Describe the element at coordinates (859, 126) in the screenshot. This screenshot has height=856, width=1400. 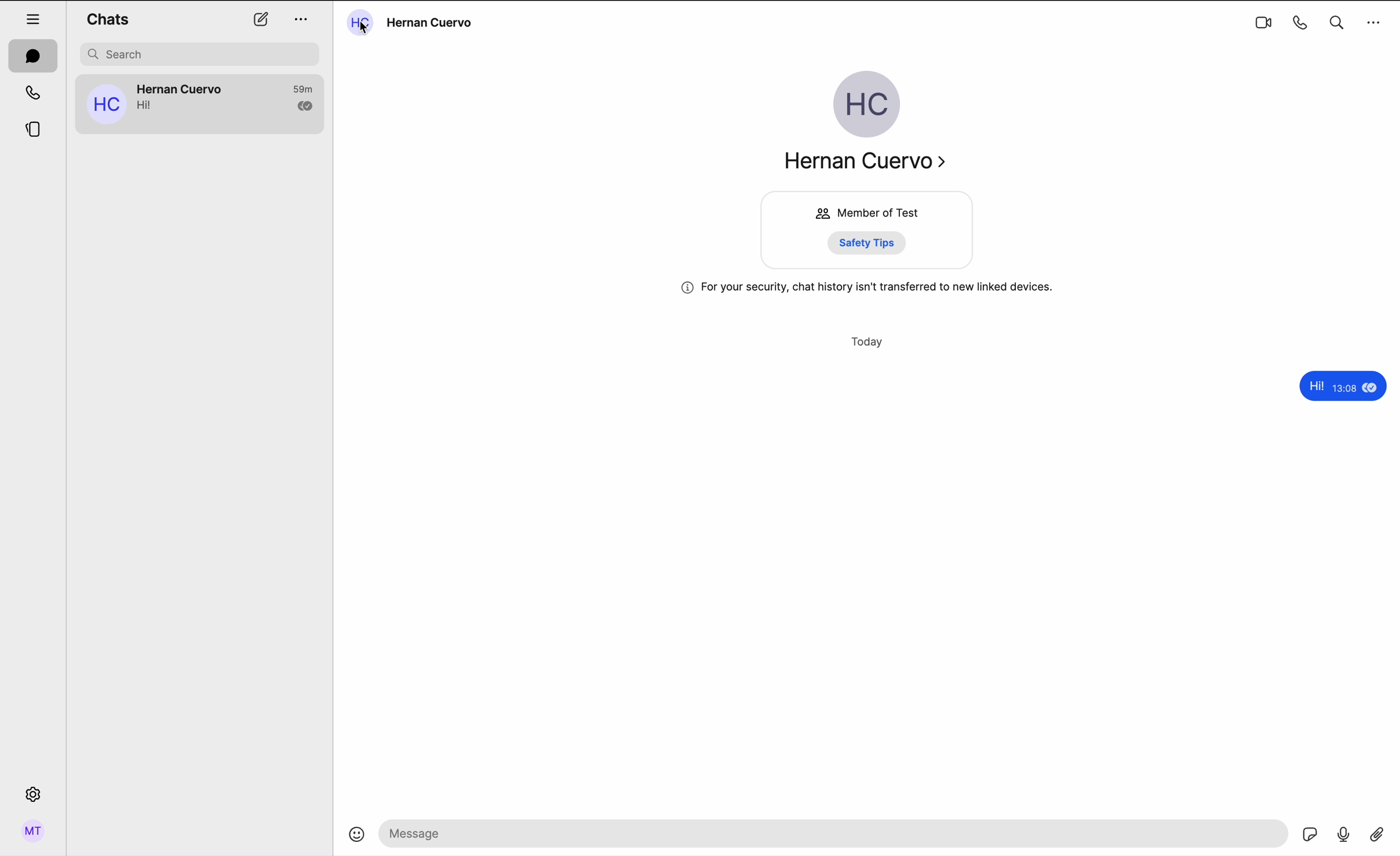
I see `Hernan Cuervo profile` at that location.